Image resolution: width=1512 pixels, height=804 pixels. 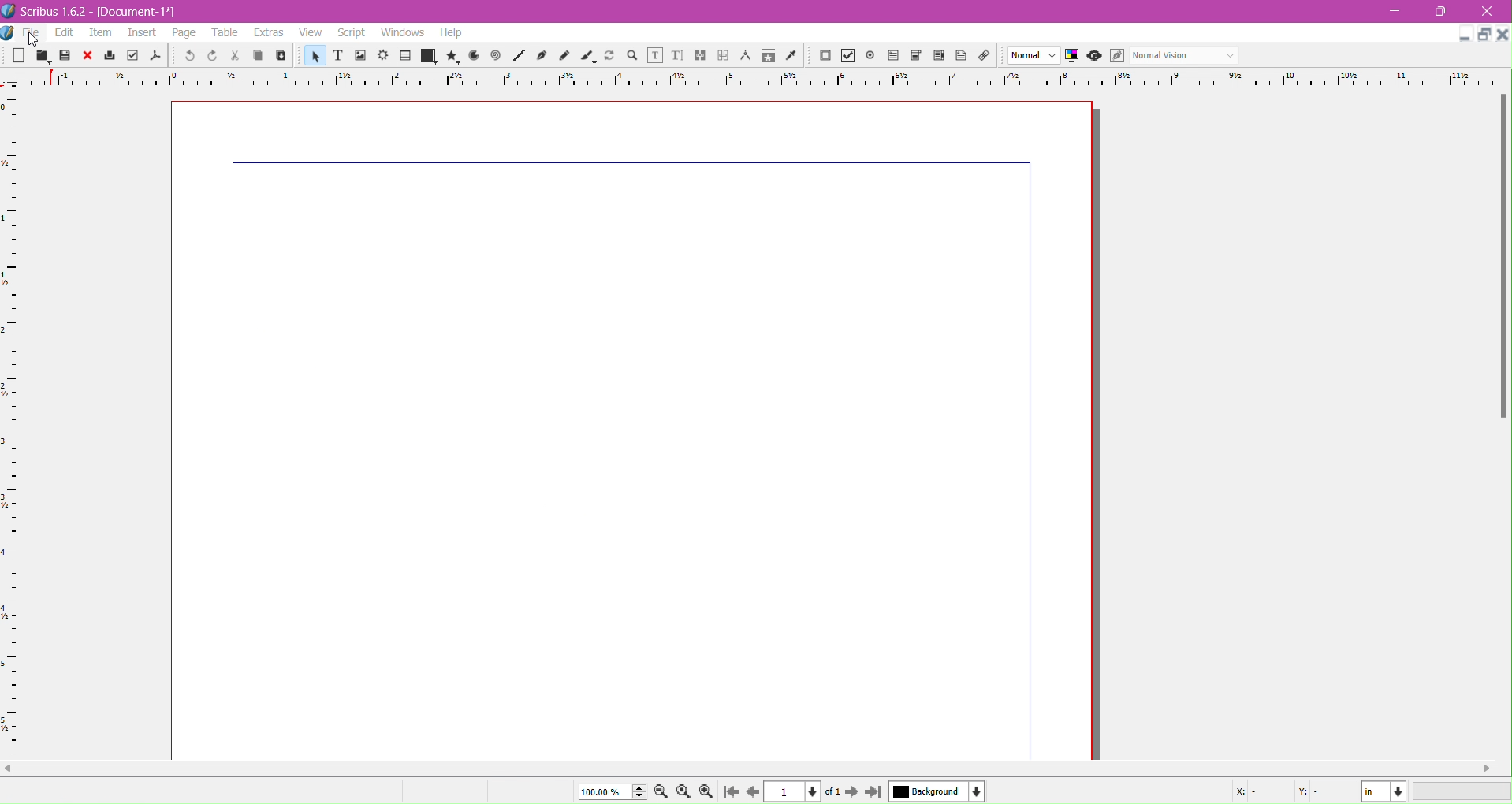 I want to click on pdf checkbox, so click(x=847, y=56).